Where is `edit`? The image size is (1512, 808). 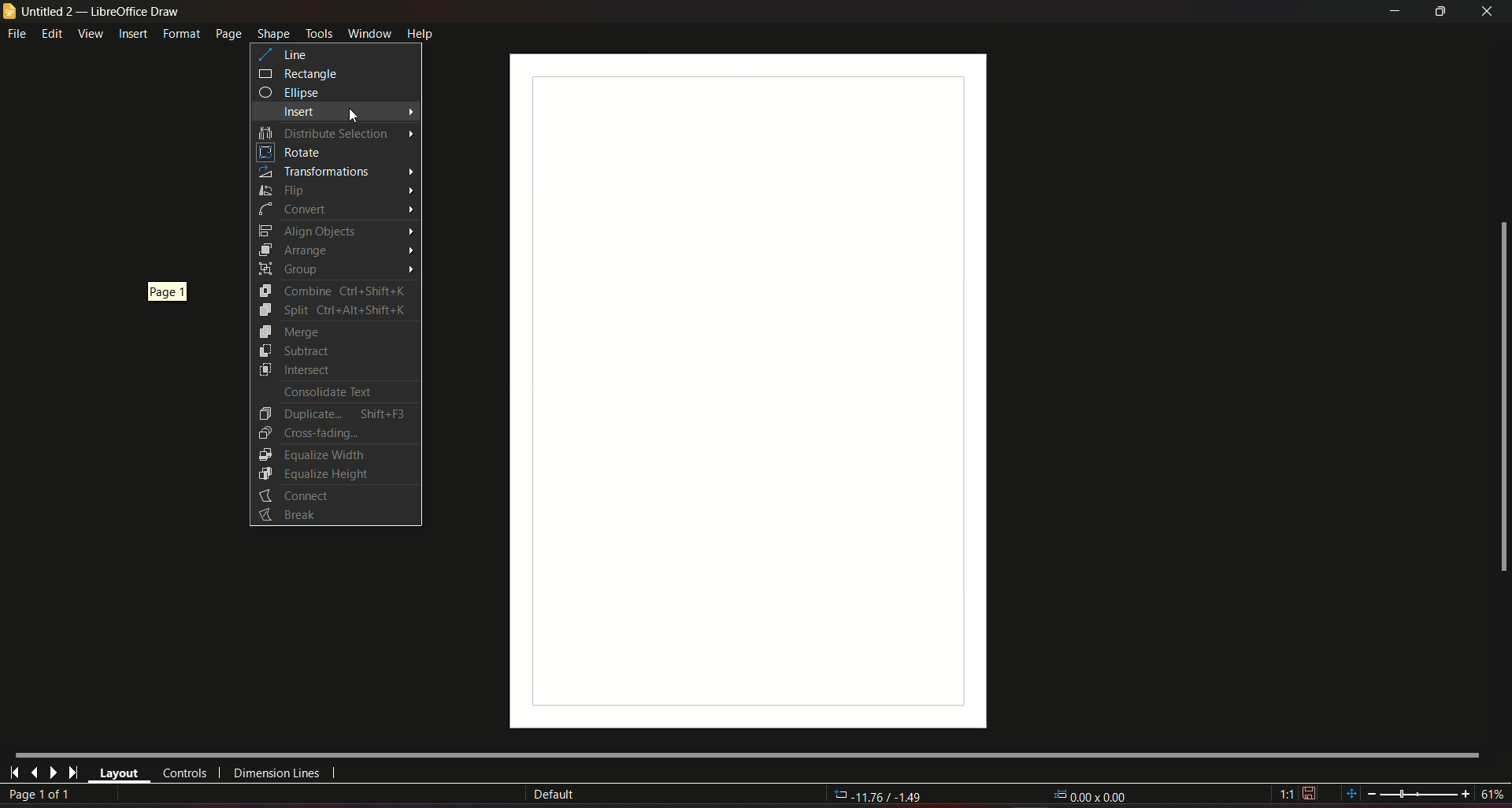
edit is located at coordinates (53, 33).